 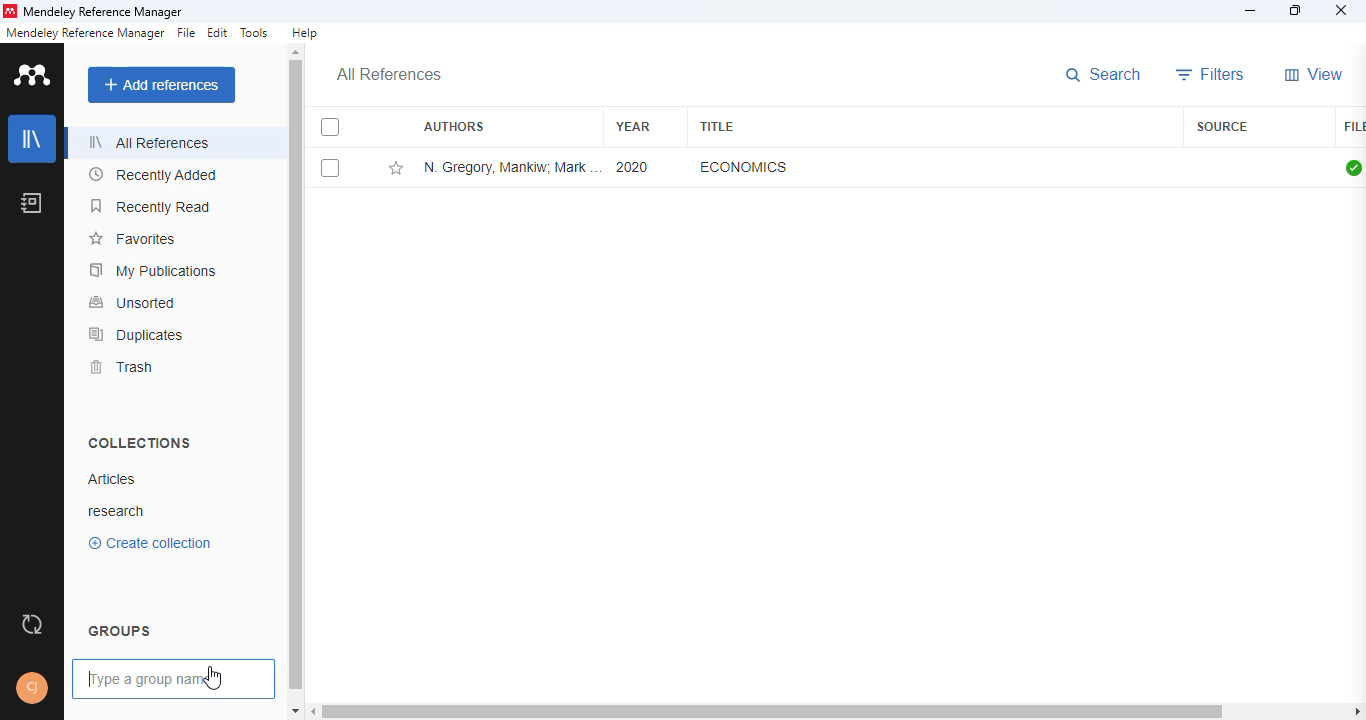 What do you see at coordinates (390, 73) in the screenshot?
I see `all references` at bounding box center [390, 73].